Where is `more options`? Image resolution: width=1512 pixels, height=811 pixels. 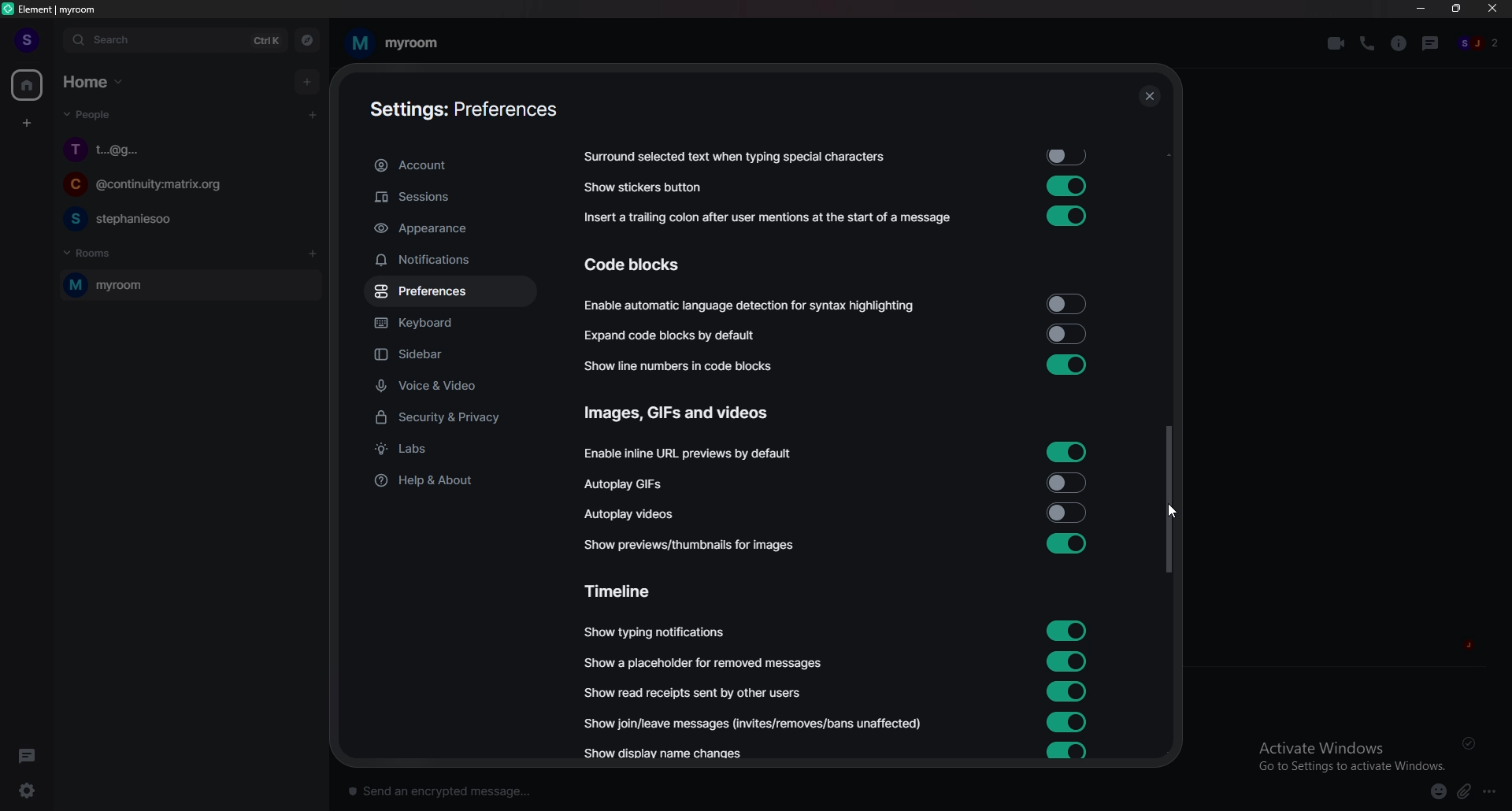
more options is located at coordinates (1494, 792).